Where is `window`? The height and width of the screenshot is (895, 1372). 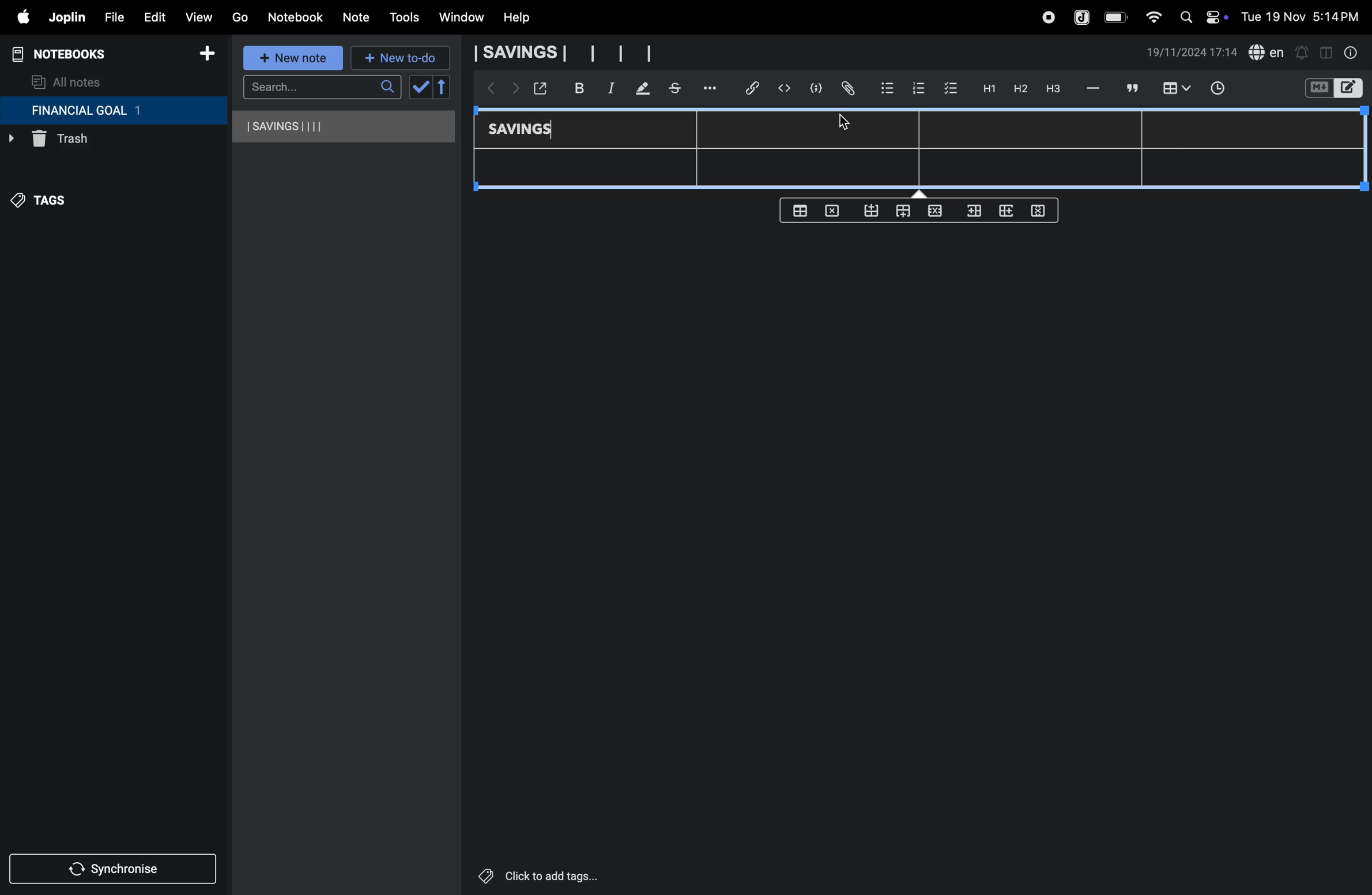 window is located at coordinates (460, 18).